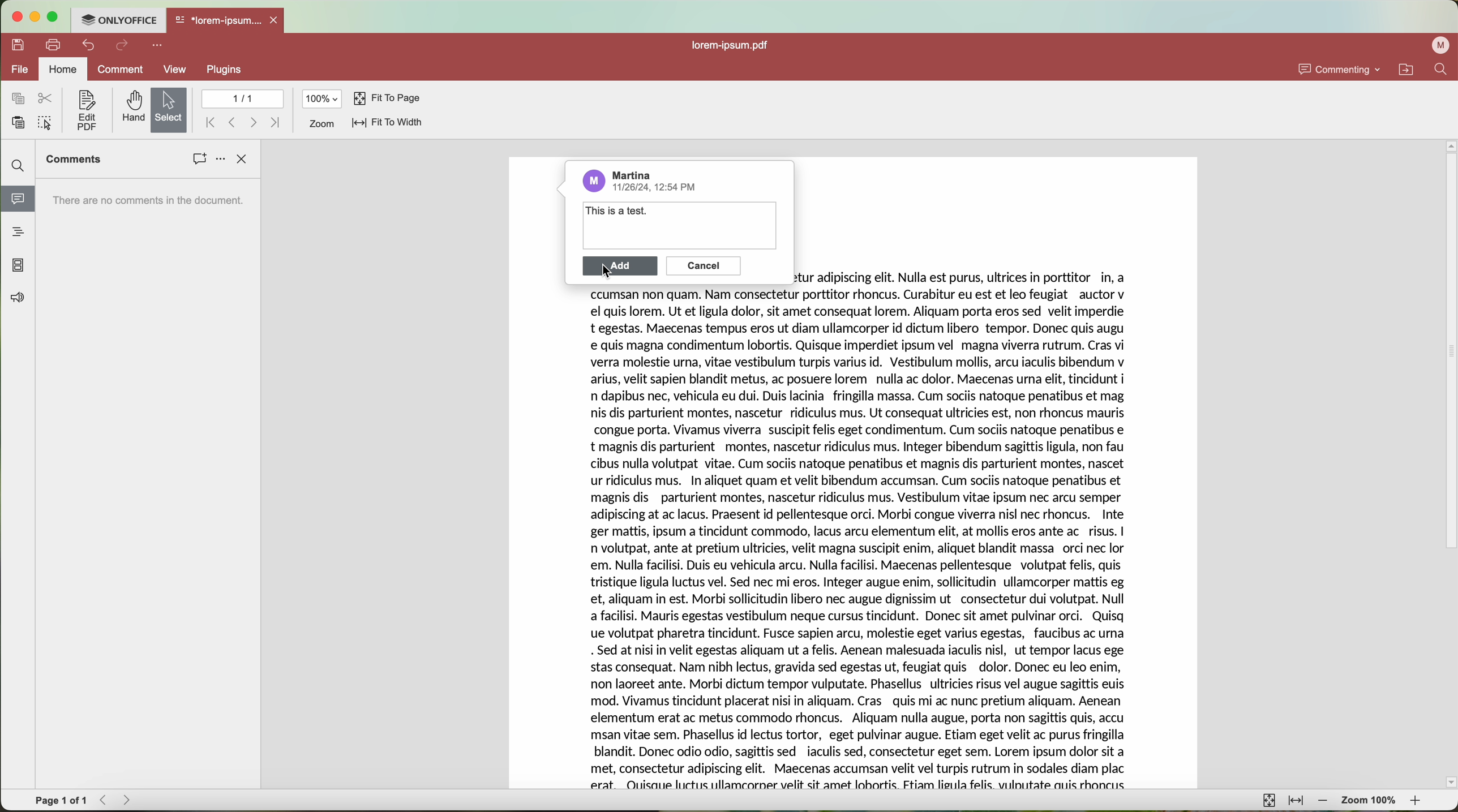 This screenshot has height=812, width=1458. I want to click on hand, so click(131, 108).